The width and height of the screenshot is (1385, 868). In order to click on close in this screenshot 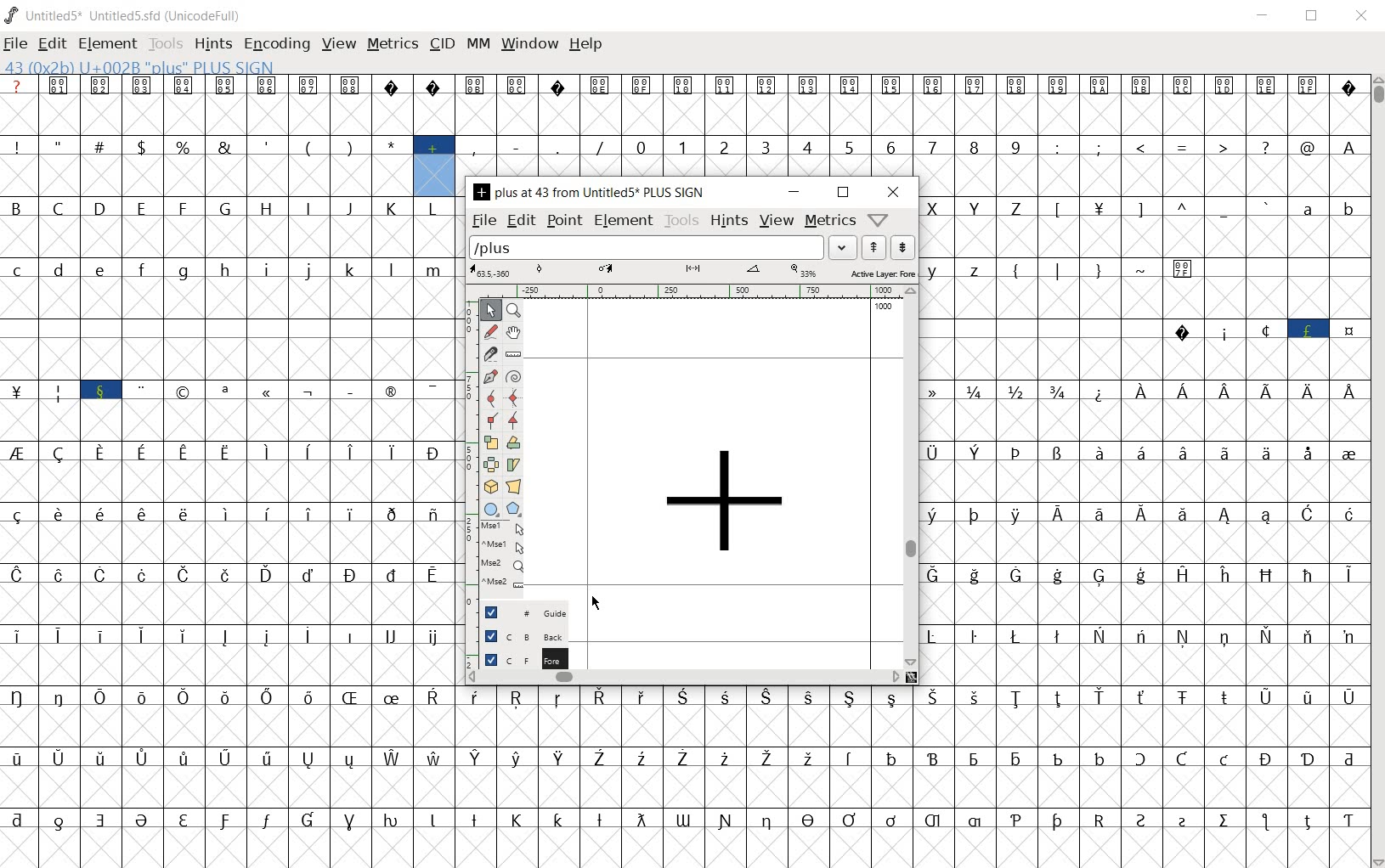, I will do `click(895, 191)`.